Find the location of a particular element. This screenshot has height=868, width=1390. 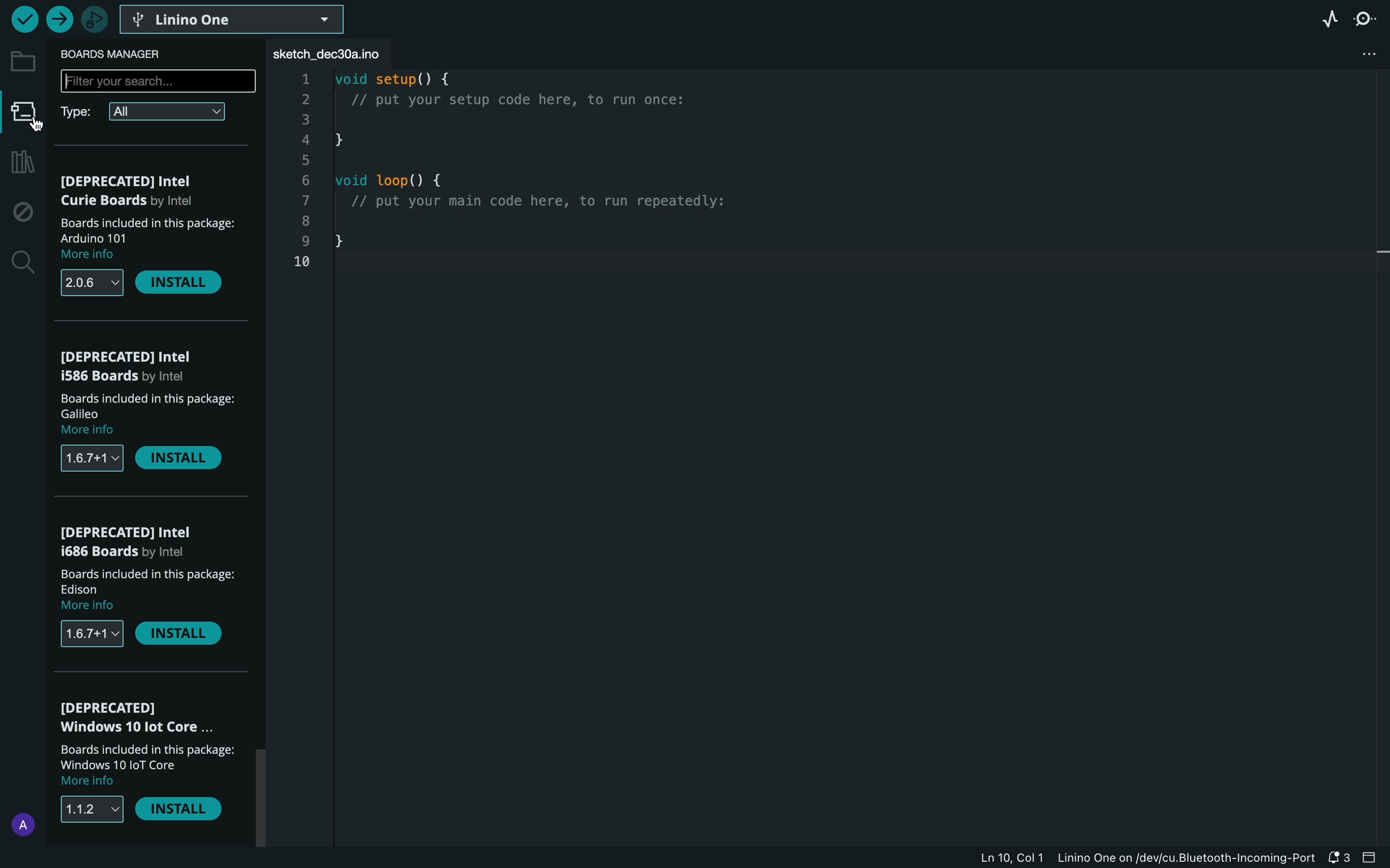

type filter is located at coordinates (150, 112).